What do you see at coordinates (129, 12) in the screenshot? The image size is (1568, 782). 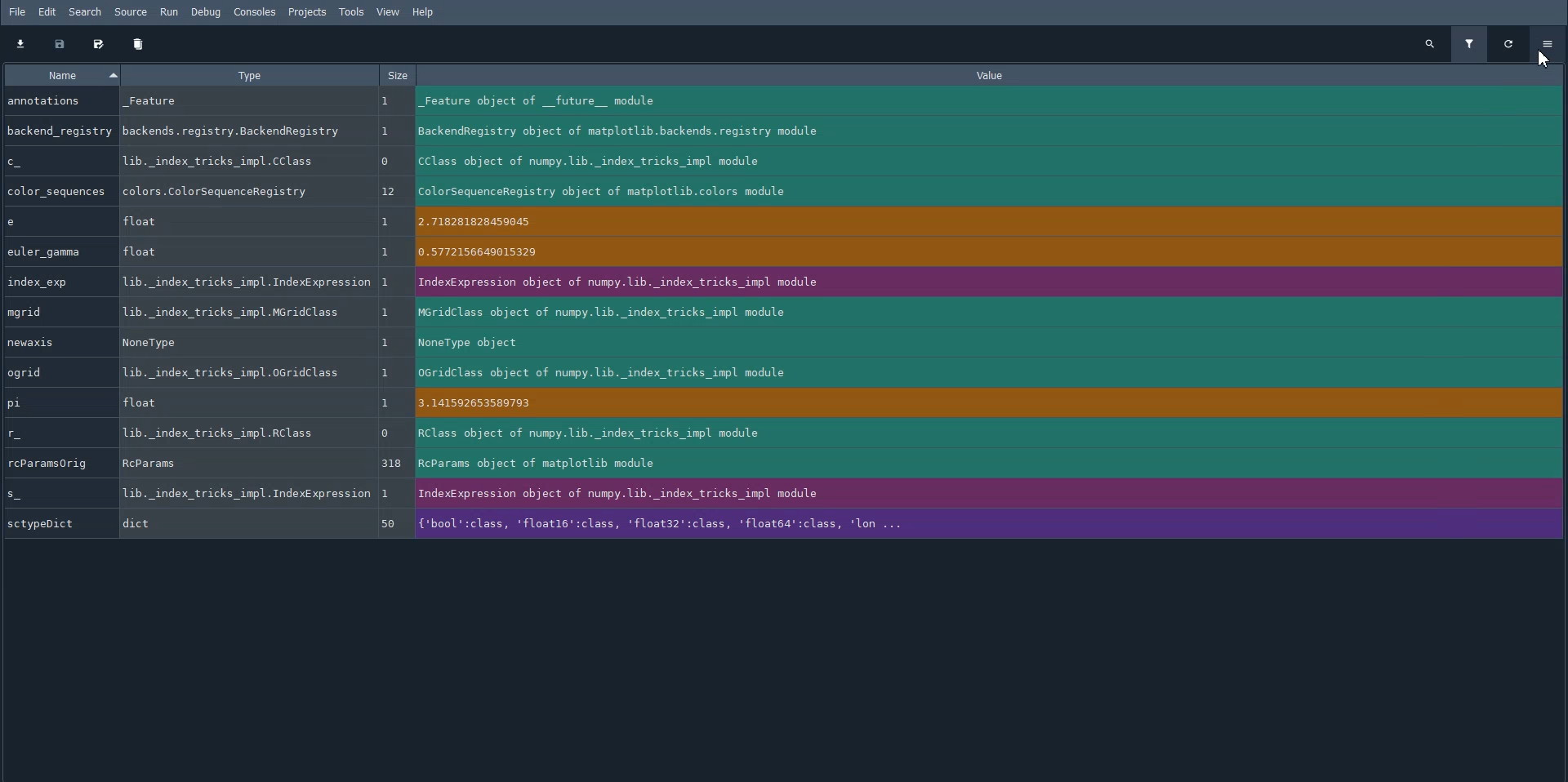 I see `Source` at bounding box center [129, 12].